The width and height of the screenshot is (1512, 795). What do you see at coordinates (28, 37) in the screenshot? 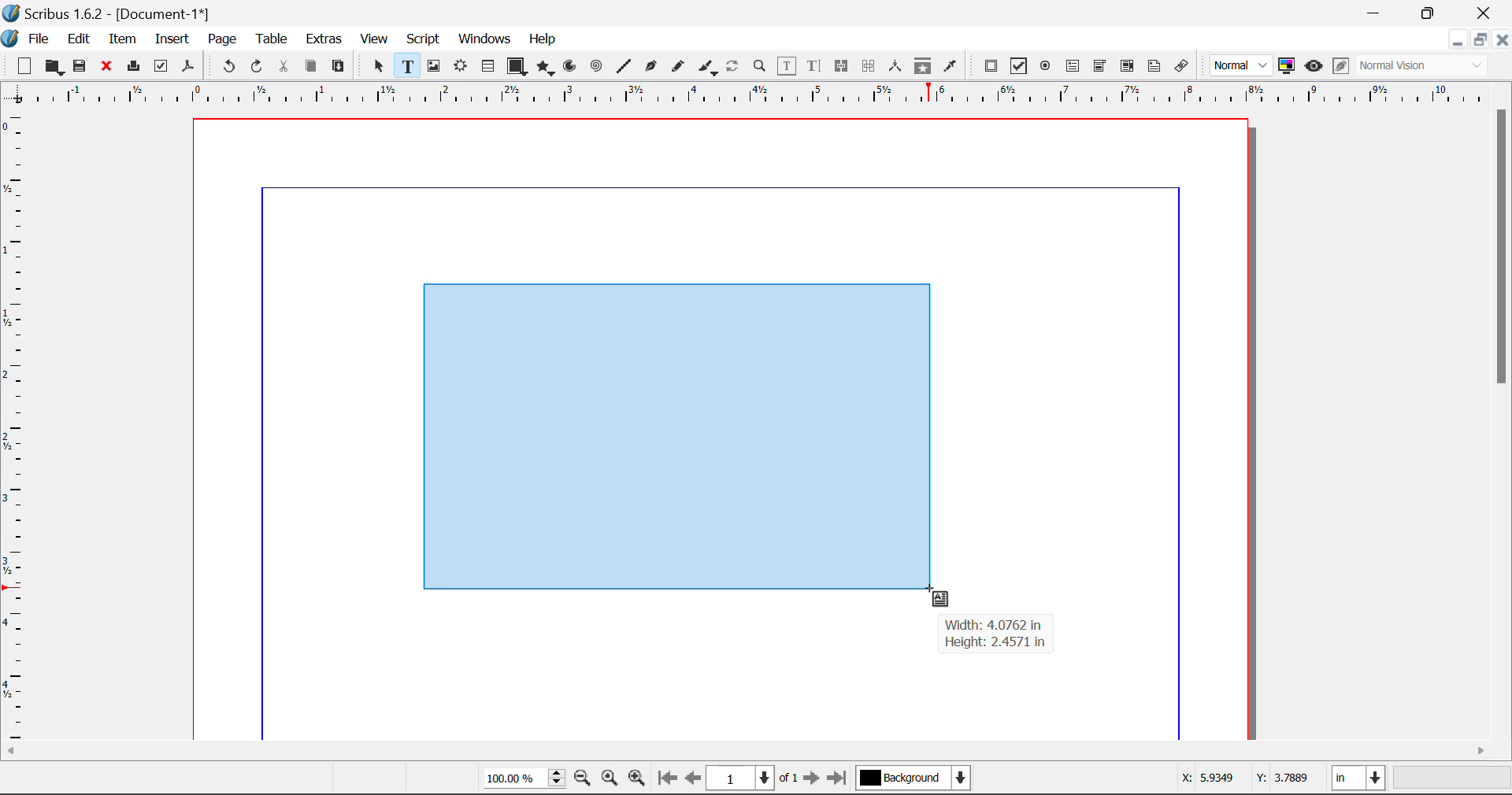
I see `File` at bounding box center [28, 37].